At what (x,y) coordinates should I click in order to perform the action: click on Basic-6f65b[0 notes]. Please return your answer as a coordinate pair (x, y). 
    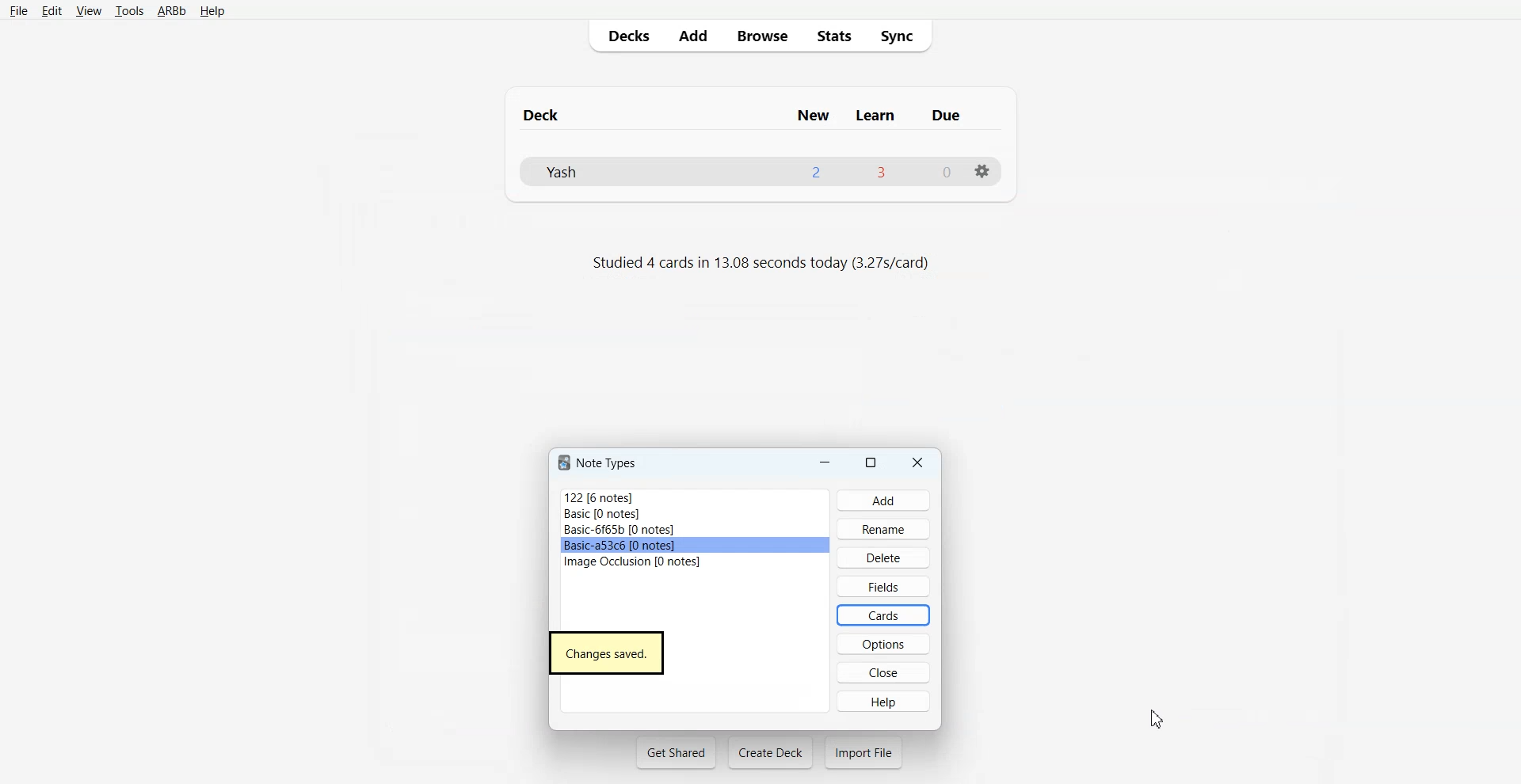
    Looking at the image, I should click on (696, 530).